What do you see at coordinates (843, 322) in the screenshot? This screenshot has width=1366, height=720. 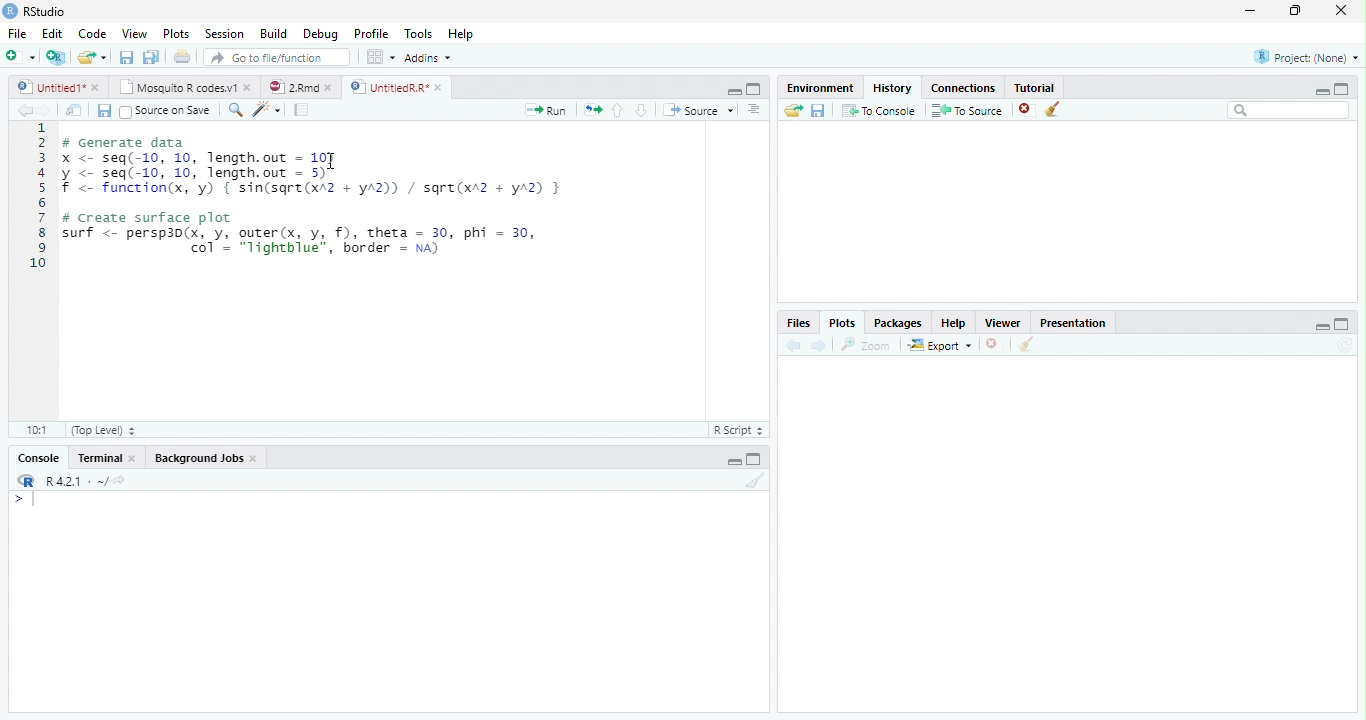 I see `Plots` at bounding box center [843, 322].